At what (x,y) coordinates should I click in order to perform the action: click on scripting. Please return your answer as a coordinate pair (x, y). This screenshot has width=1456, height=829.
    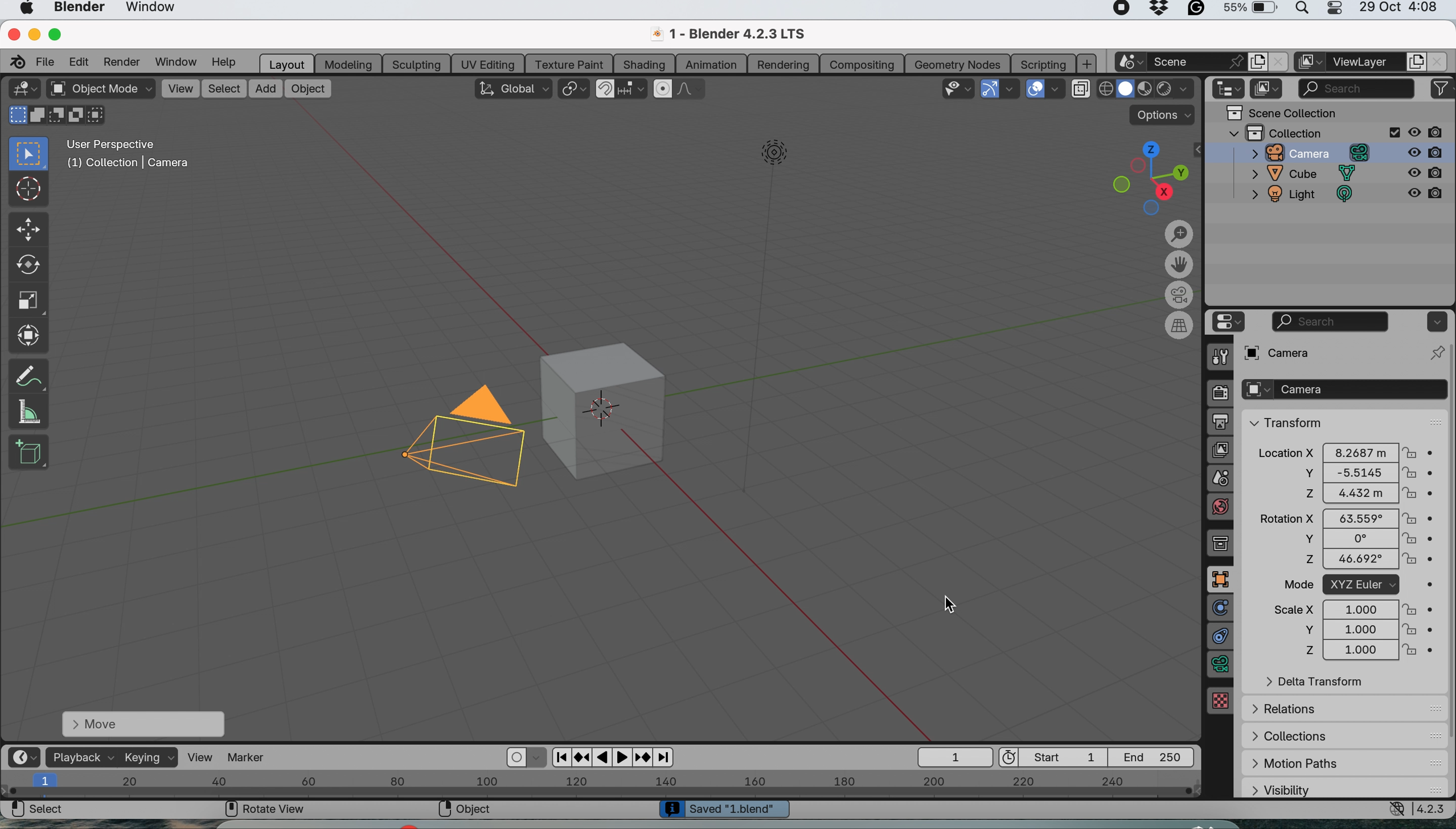
    Looking at the image, I should click on (1041, 63).